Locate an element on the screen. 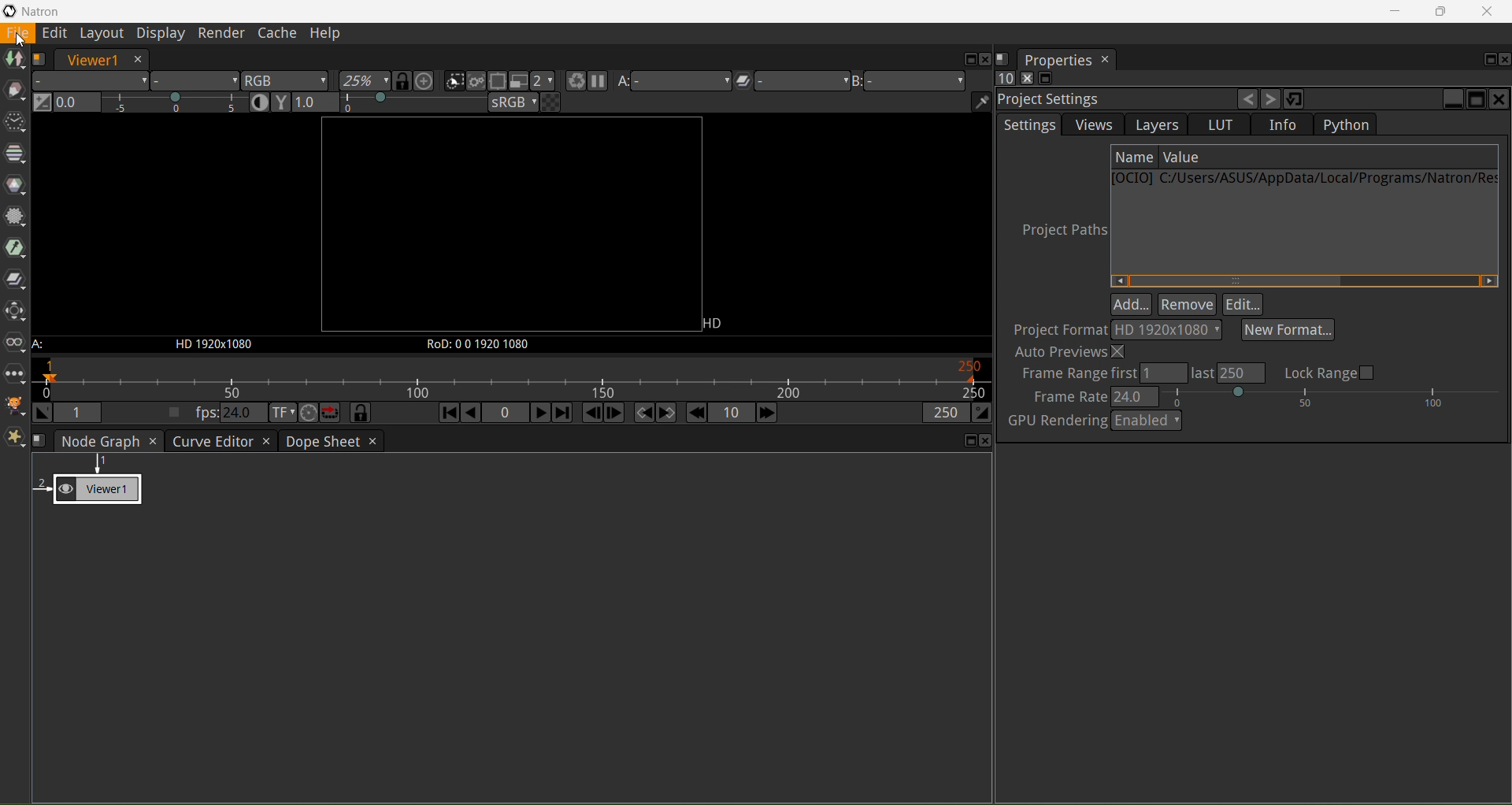 This screenshot has width=1512, height=805.  is located at coordinates (980, 103).